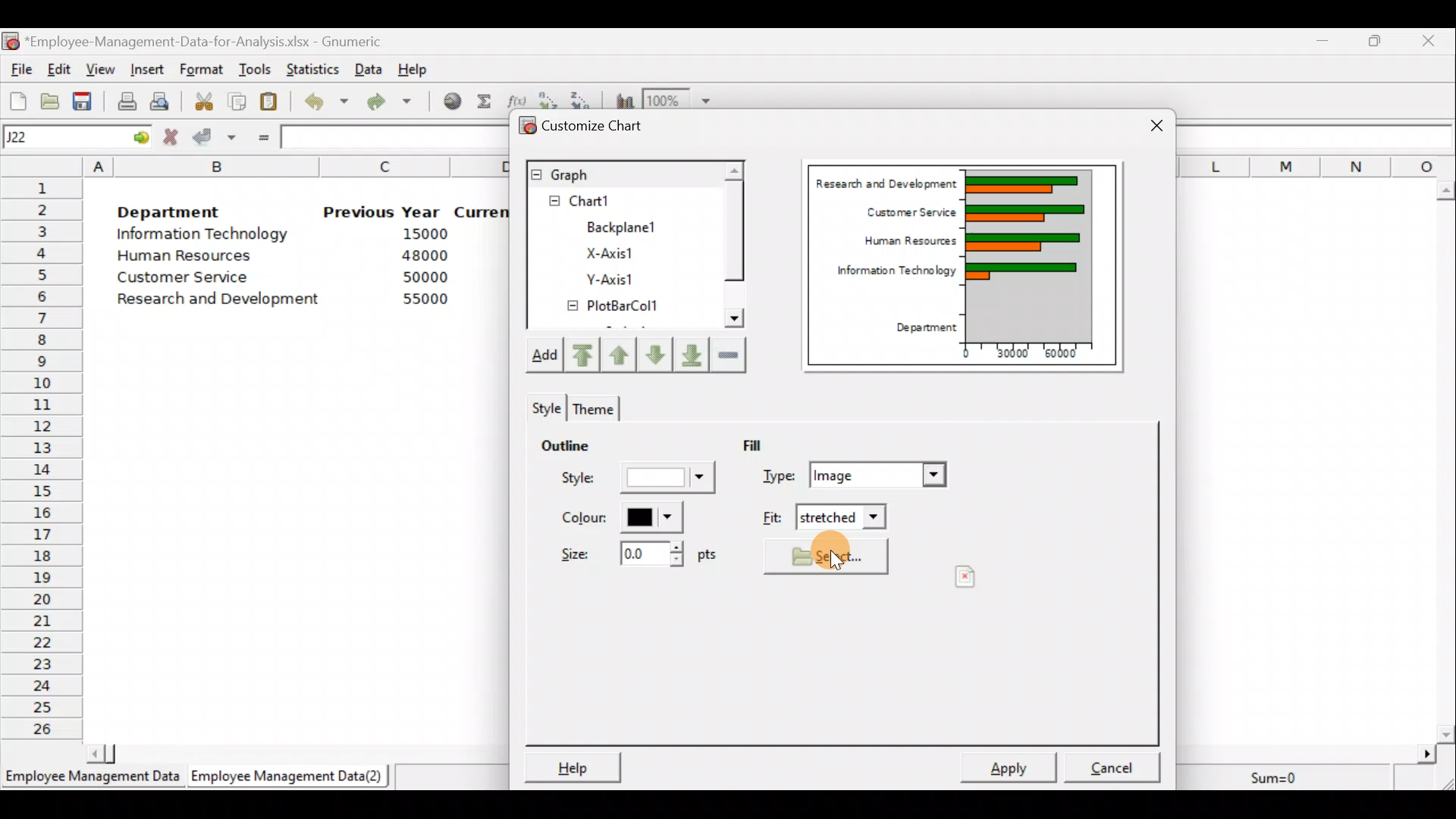 Image resolution: width=1456 pixels, height=819 pixels. I want to click on X-axis1, so click(620, 251).